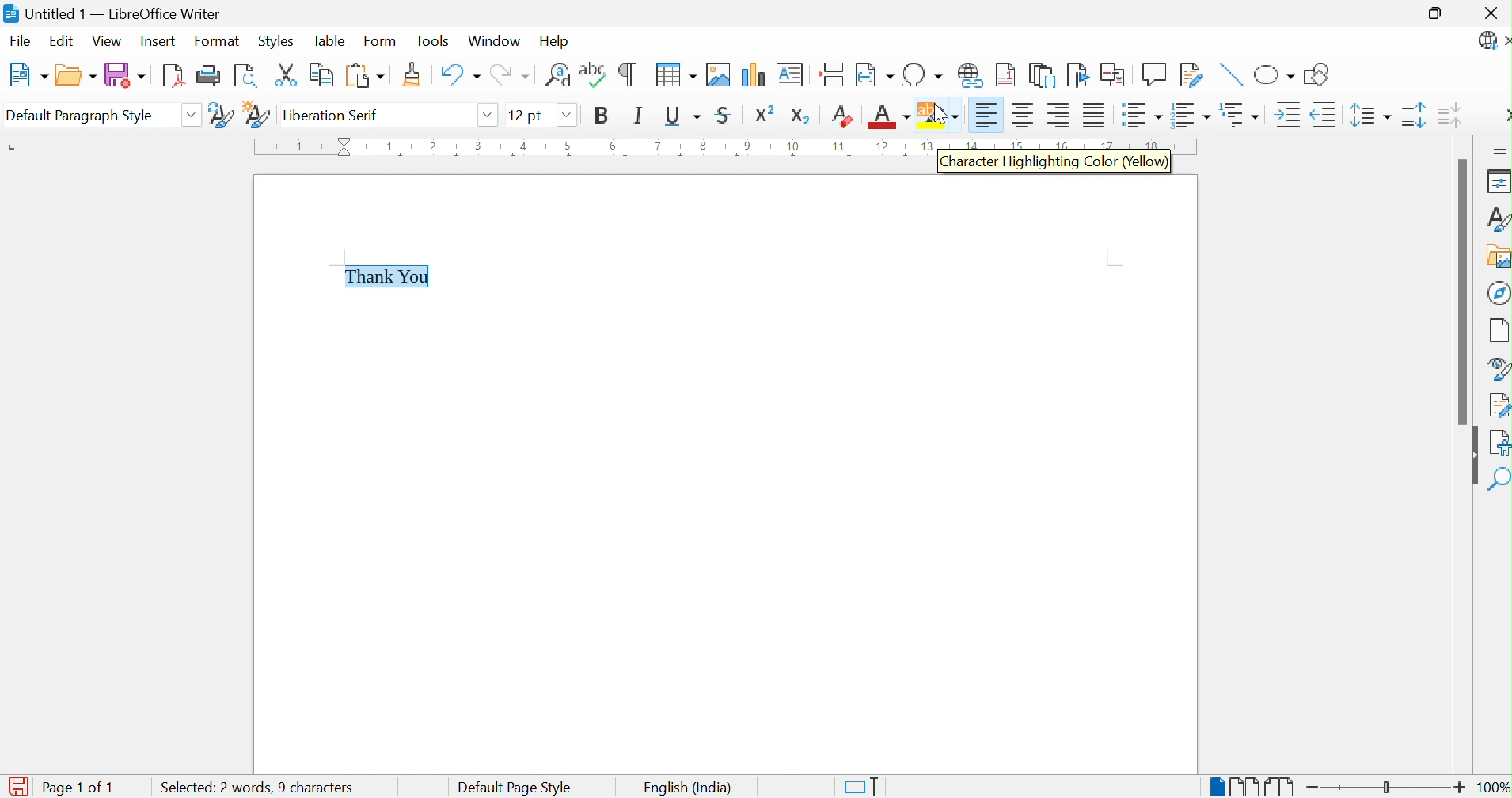 Image resolution: width=1512 pixels, height=798 pixels. What do you see at coordinates (1493, 787) in the screenshot?
I see `100%` at bounding box center [1493, 787].